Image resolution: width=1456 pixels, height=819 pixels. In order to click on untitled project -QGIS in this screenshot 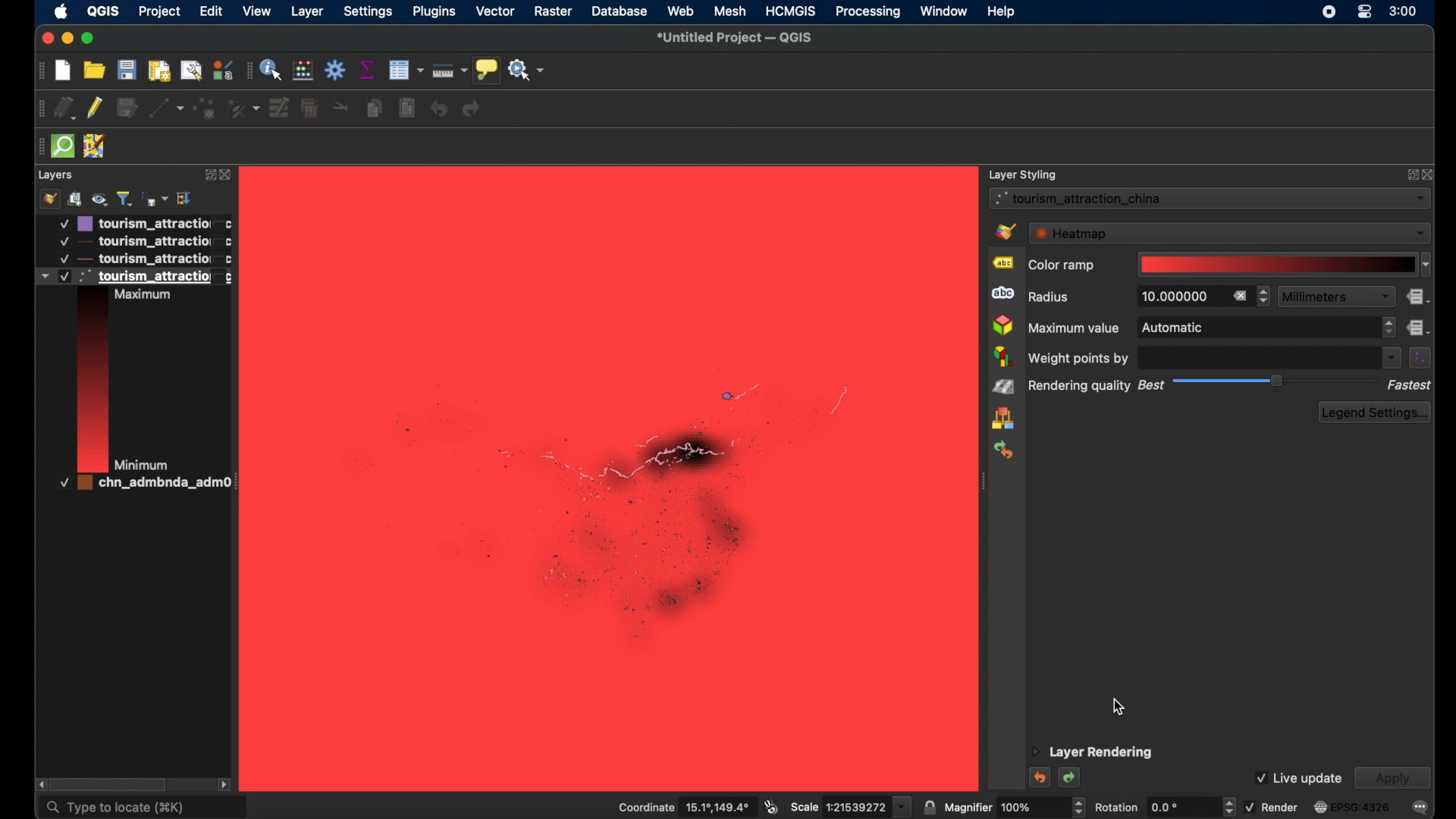, I will do `click(739, 39)`.